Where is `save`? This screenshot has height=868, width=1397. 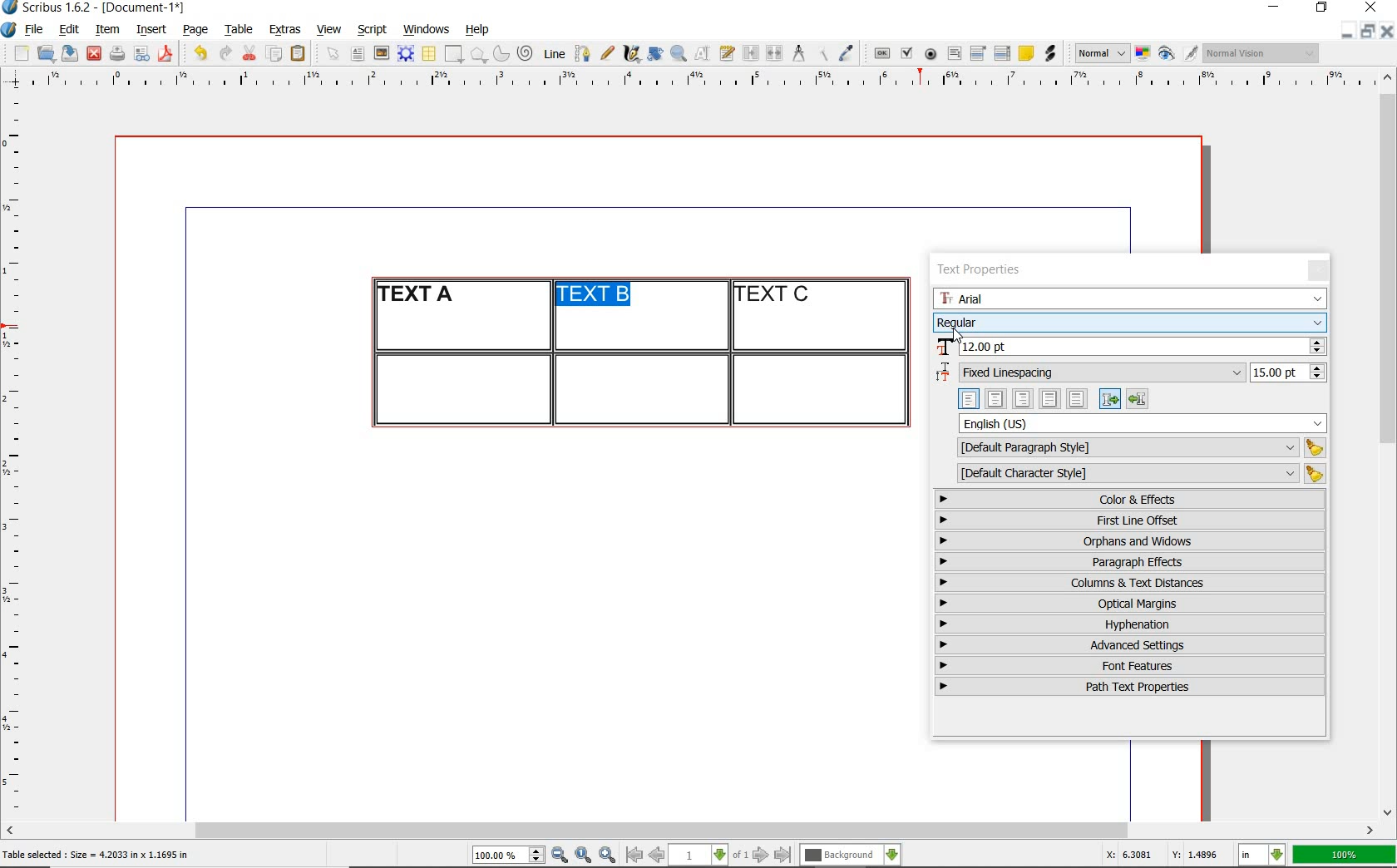 save is located at coordinates (67, 53).